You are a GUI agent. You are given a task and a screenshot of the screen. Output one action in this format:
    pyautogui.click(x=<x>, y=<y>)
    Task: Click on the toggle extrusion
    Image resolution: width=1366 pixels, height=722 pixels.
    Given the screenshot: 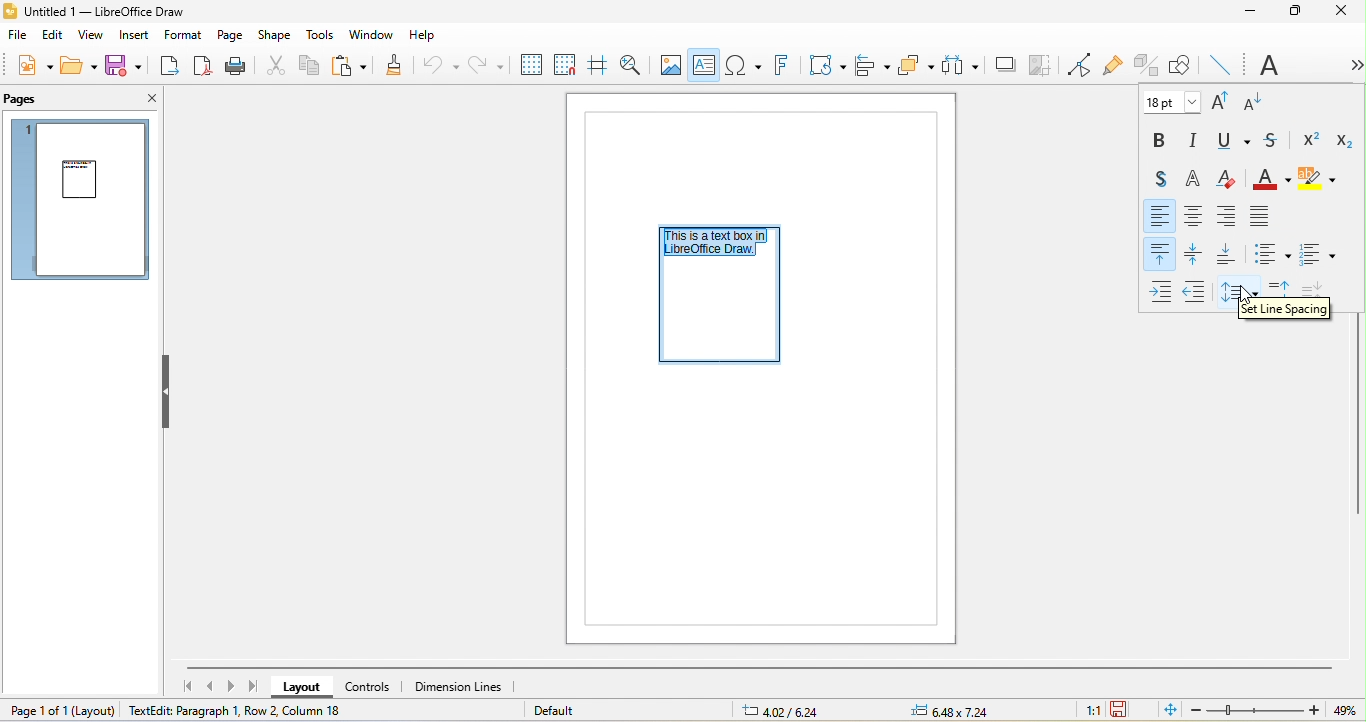 What is the action you would take?
    pyautogui.click(x=1149, y=63)
    